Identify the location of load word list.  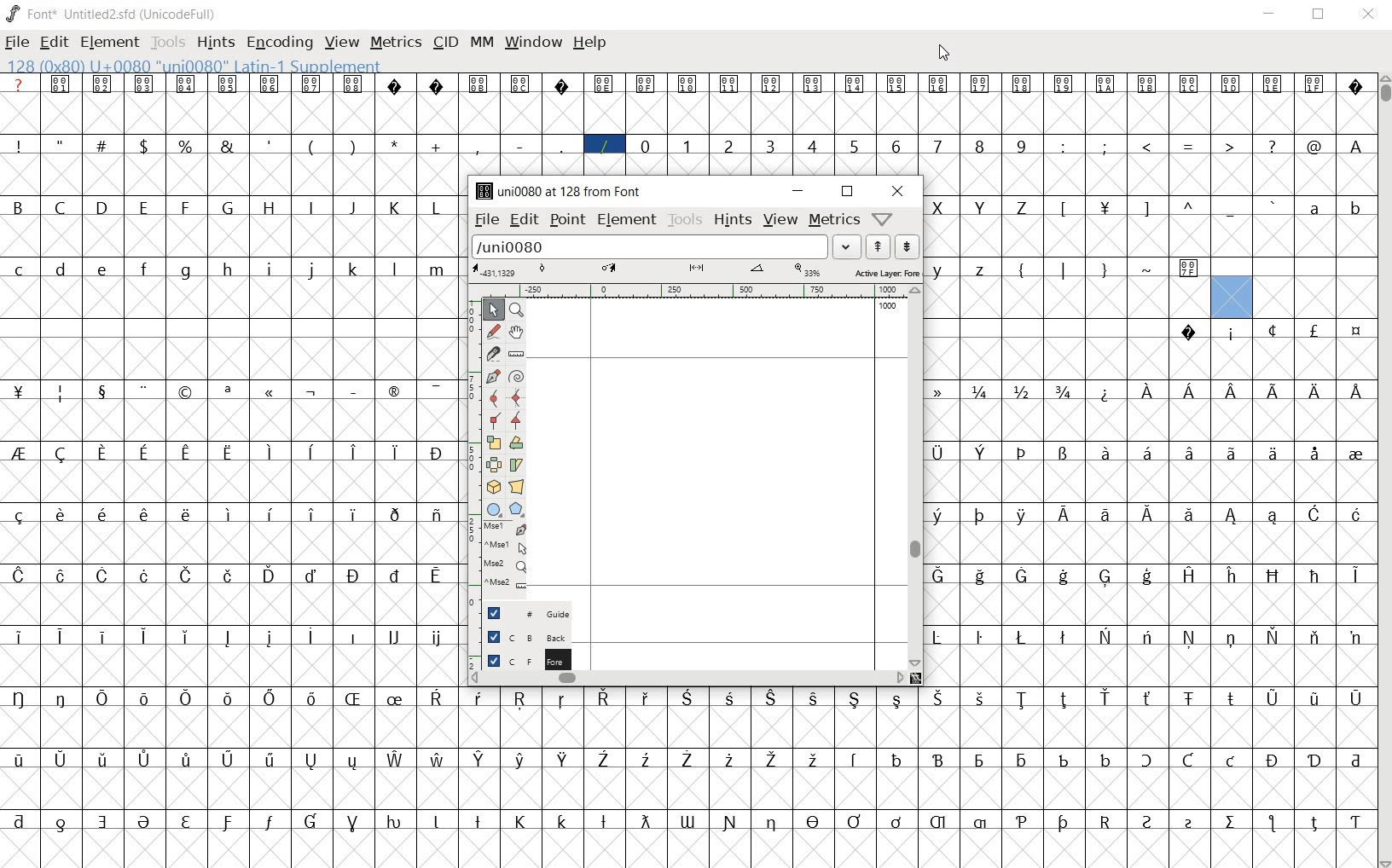
(650, 246).